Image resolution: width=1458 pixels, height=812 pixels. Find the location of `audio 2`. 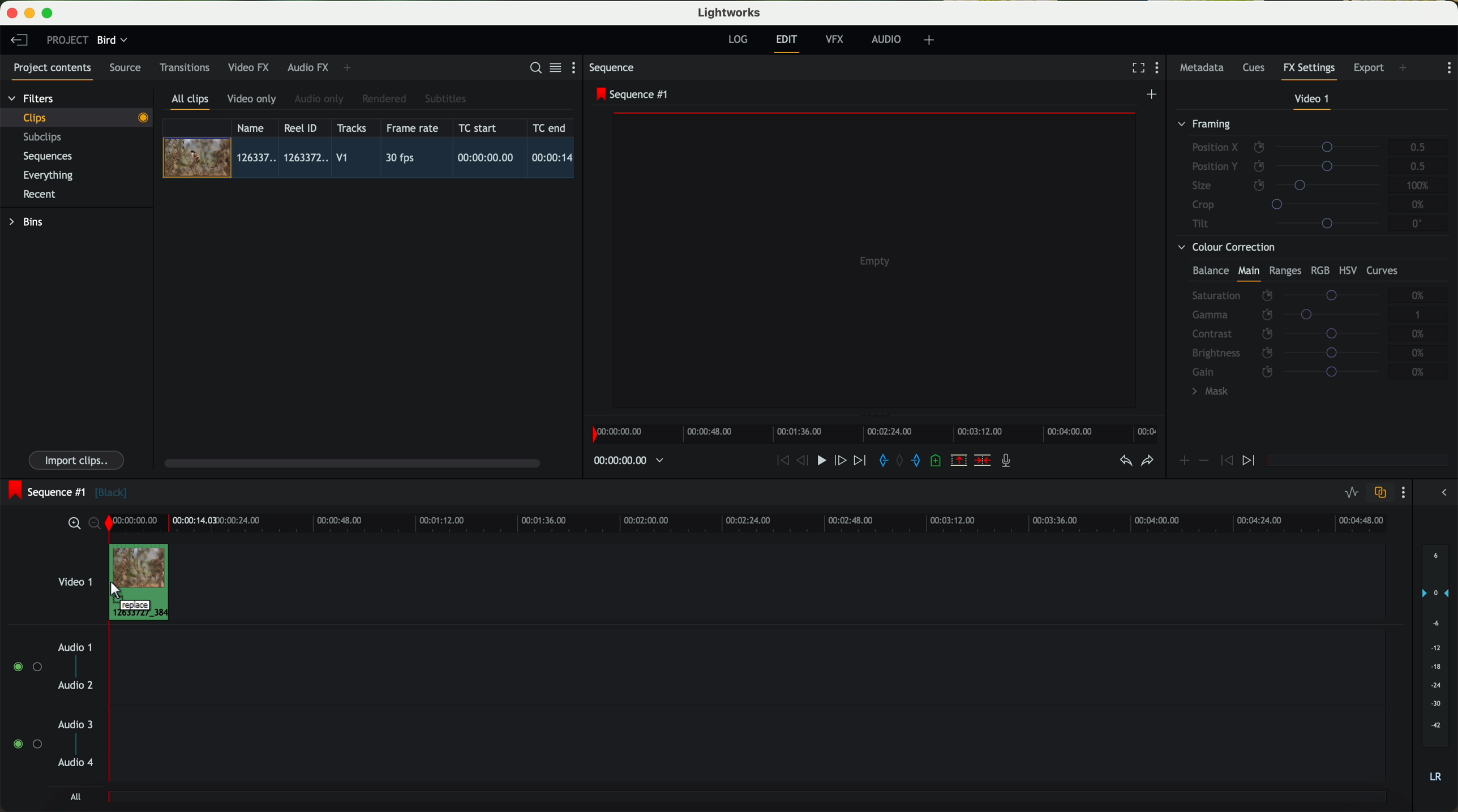

audio 2 is located at coordinates (76, 686).